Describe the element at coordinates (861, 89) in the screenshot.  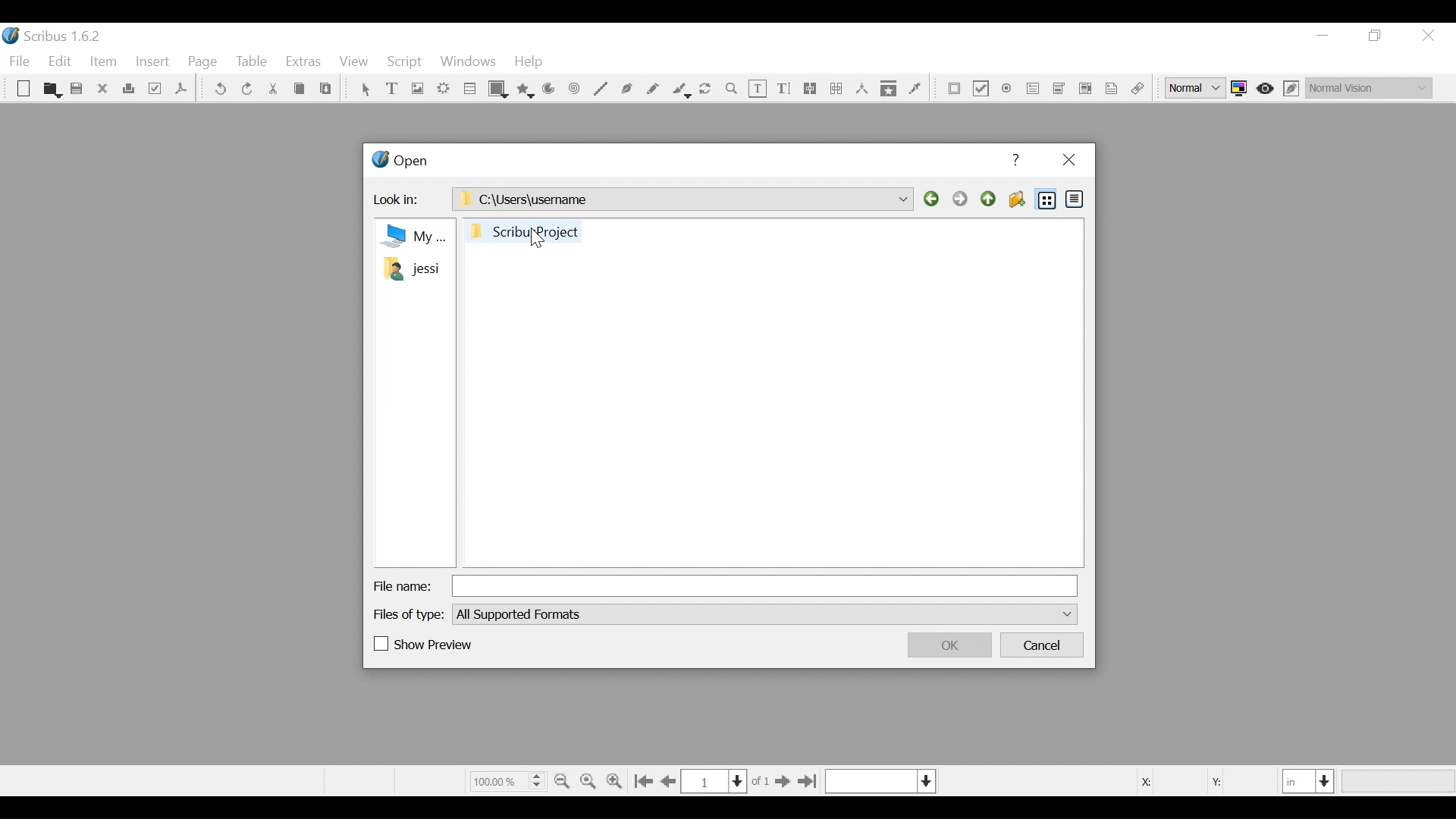
I see `Measurements` at that location.